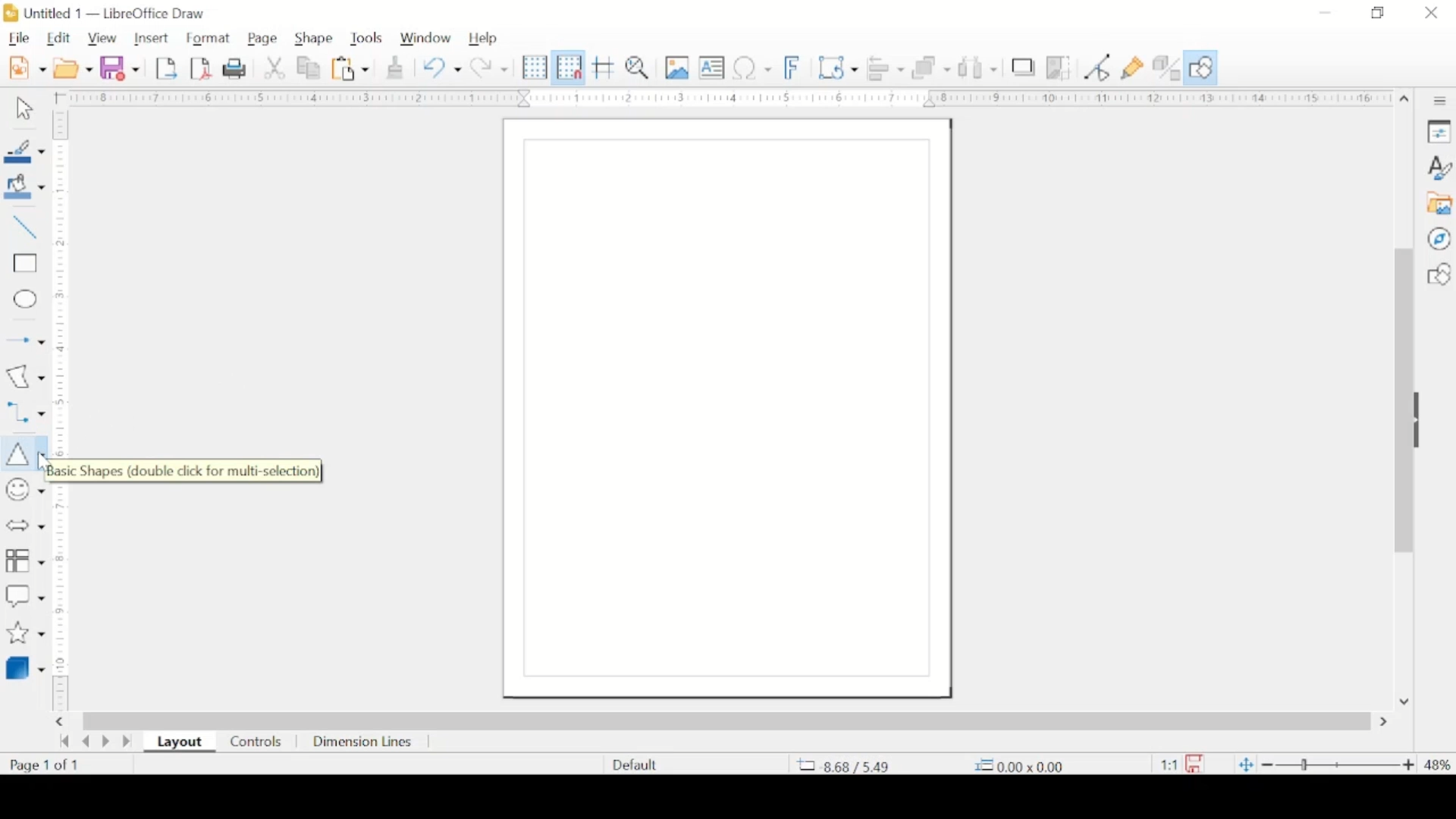  What do you see at coordinates (127, 742) in the screenshot?
I see `last page` at bounding box center [127, 742].